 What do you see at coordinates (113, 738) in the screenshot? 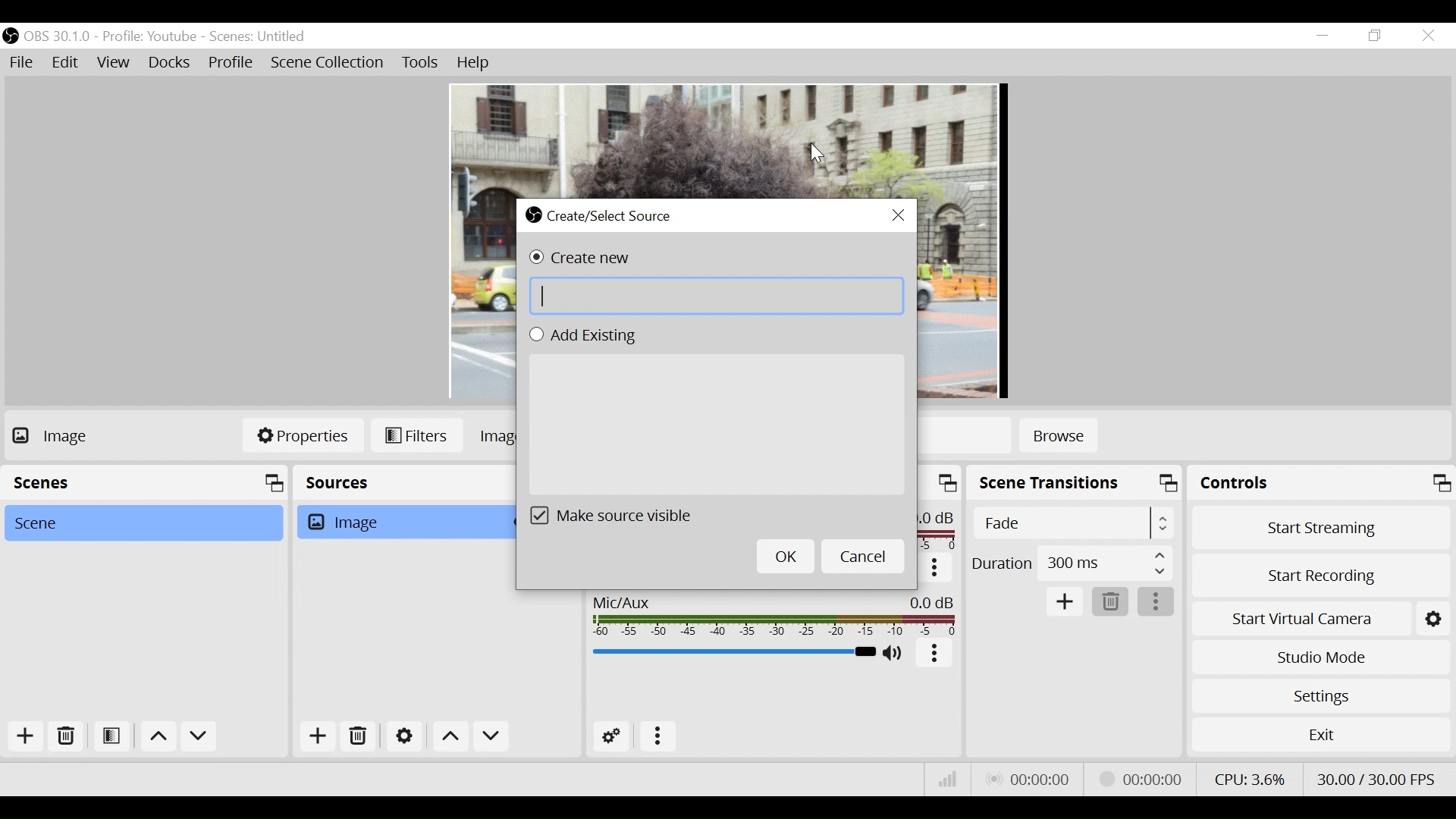
I see `Open Scene Filter` at bounding box center [113, 738].